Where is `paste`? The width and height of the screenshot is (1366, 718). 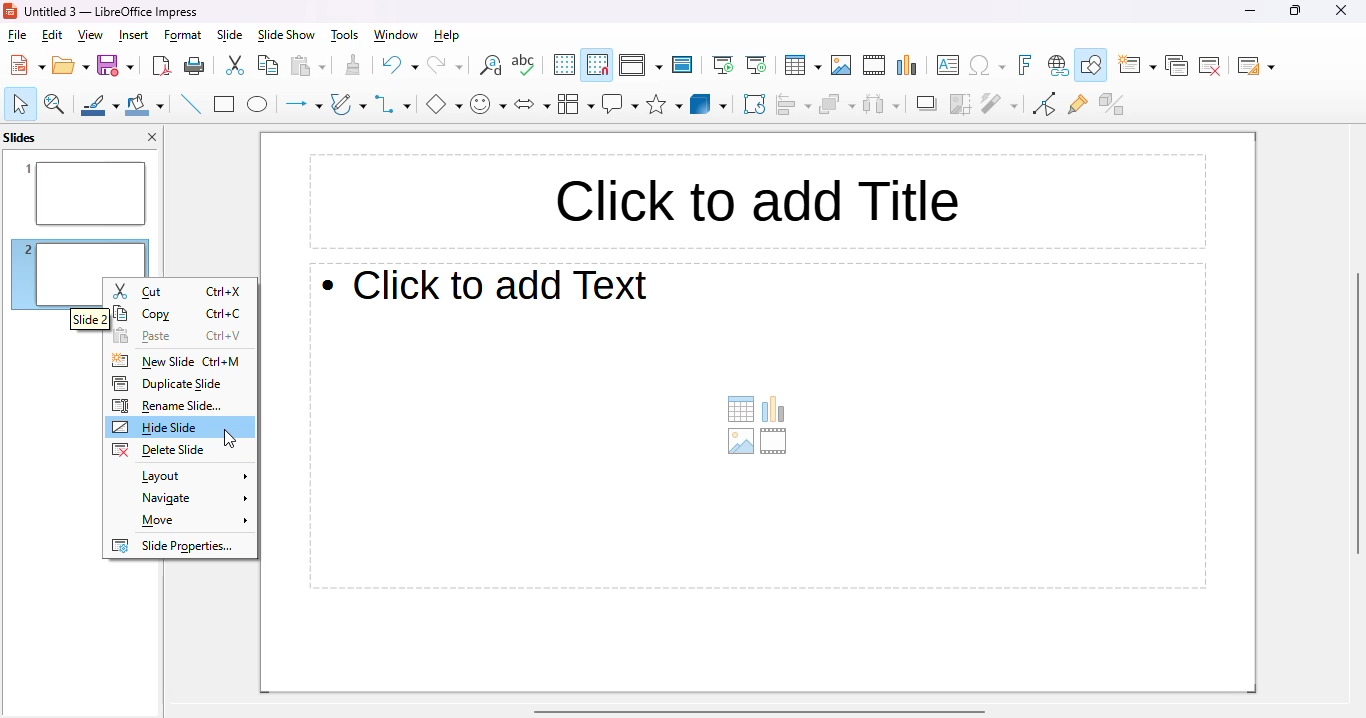 paste is located at coordinates (143, 335).